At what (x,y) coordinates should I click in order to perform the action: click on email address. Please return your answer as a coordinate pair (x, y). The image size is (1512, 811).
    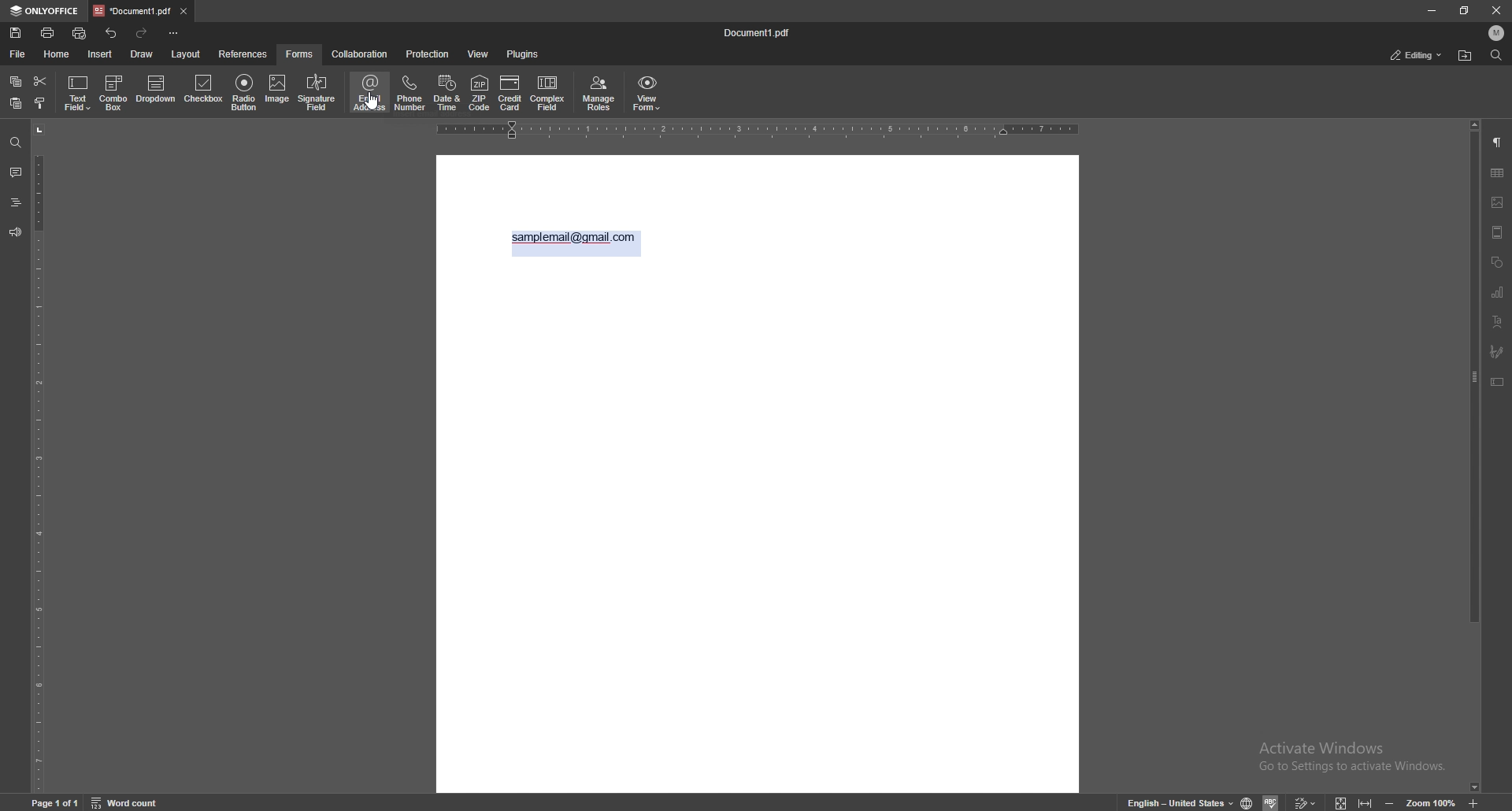
    Looking at the image, I should click on (371, 92).